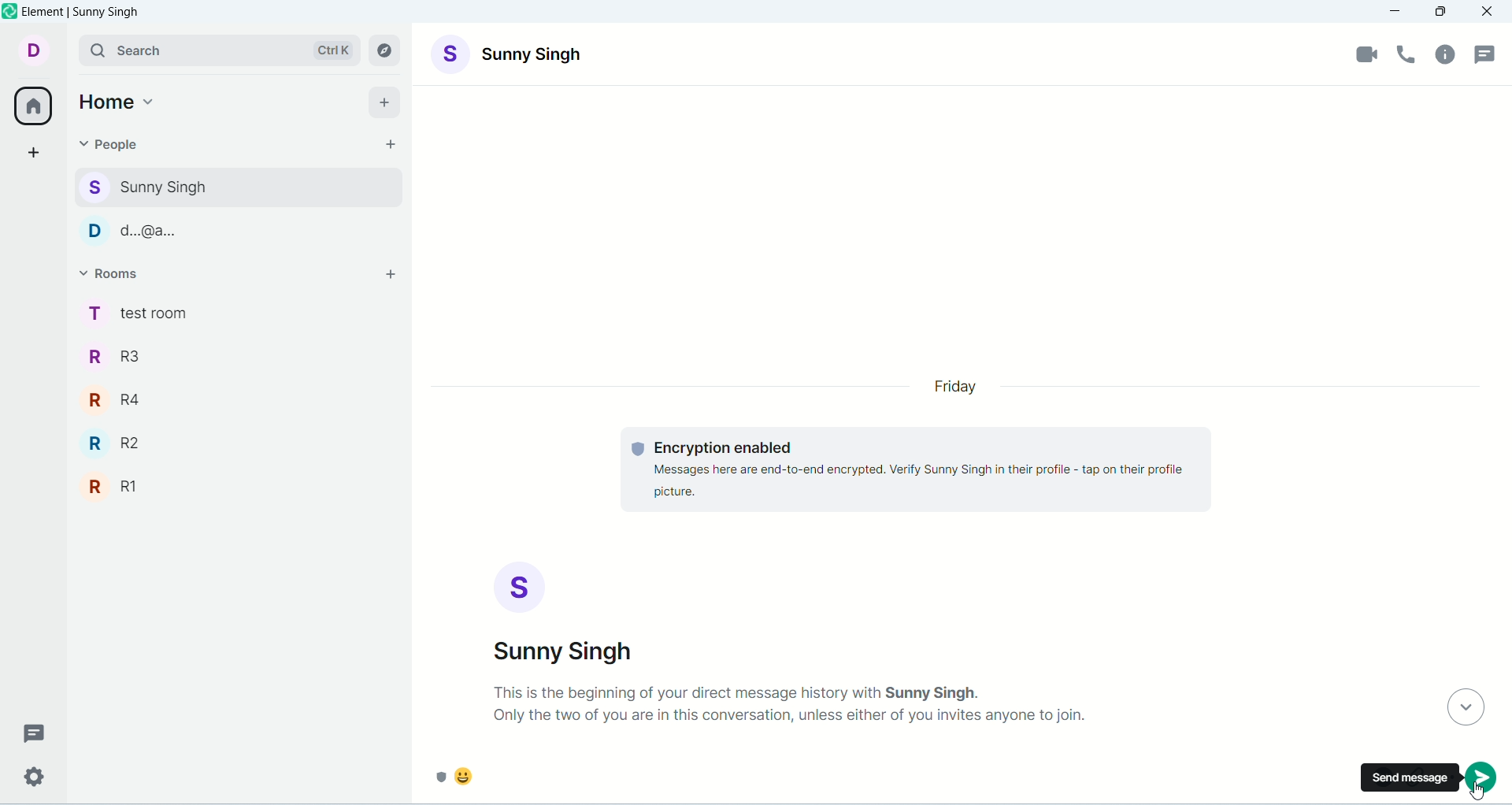 The height and width of the screenshot is (805, 1512). What do you see at coordinates (1442, 10) in the screenshot?
I see `maximize` at bounding box center [1442, 10].